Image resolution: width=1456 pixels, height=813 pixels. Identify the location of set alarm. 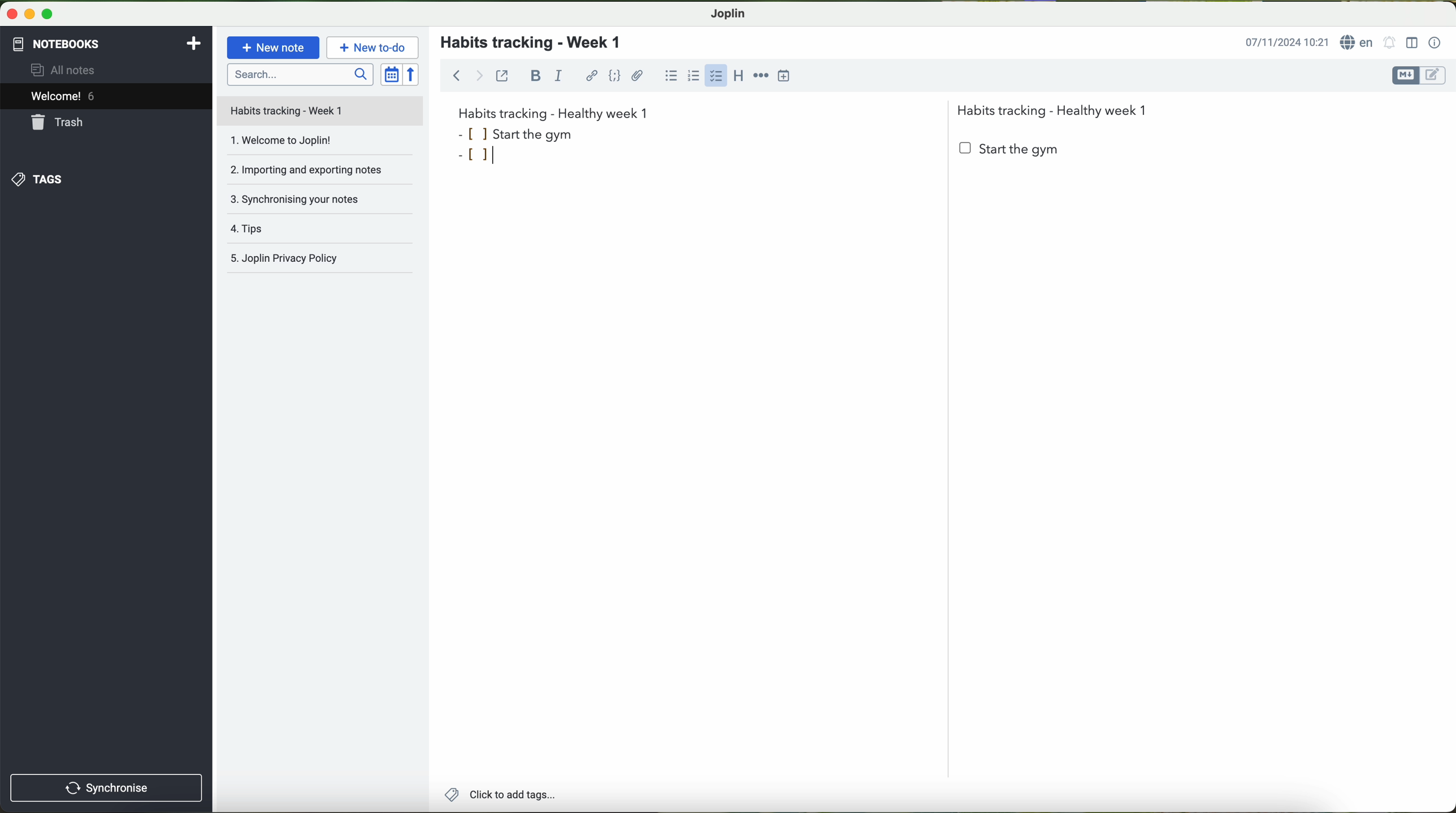
(1390, 42).